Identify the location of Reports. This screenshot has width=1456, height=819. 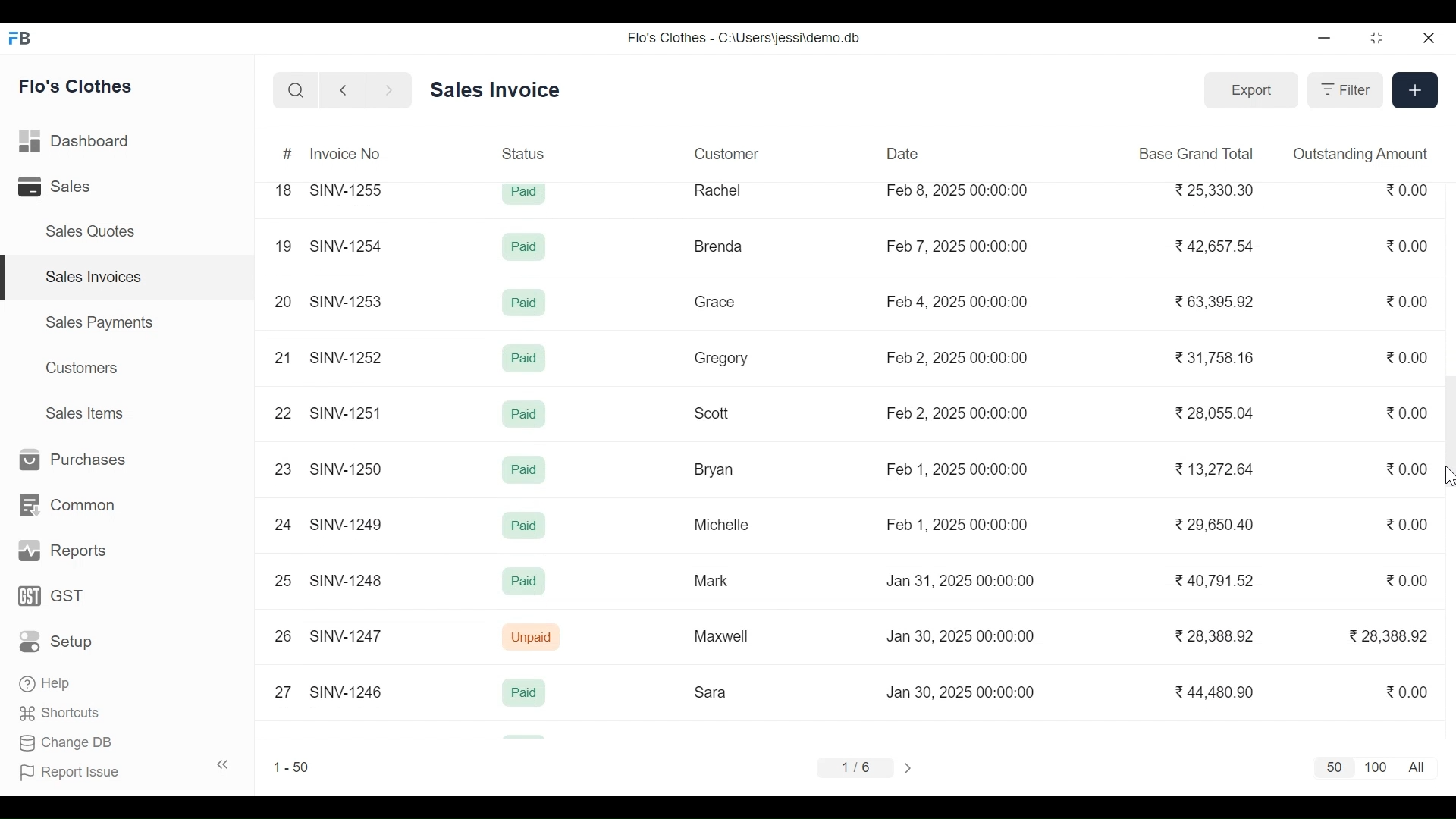
(59, 551).